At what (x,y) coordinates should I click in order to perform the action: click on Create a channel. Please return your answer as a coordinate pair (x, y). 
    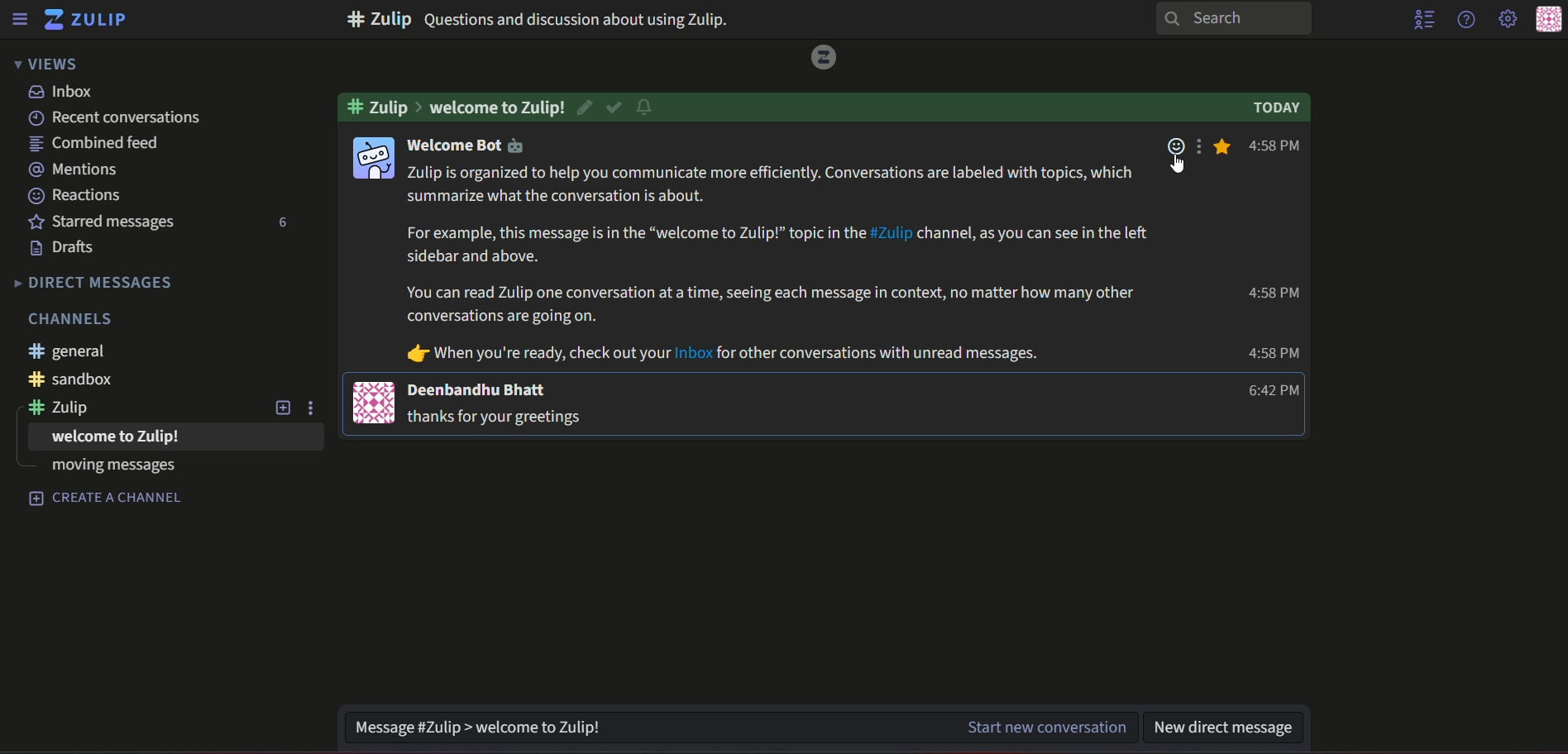
    Looking at the image, I should click on (106, 499).